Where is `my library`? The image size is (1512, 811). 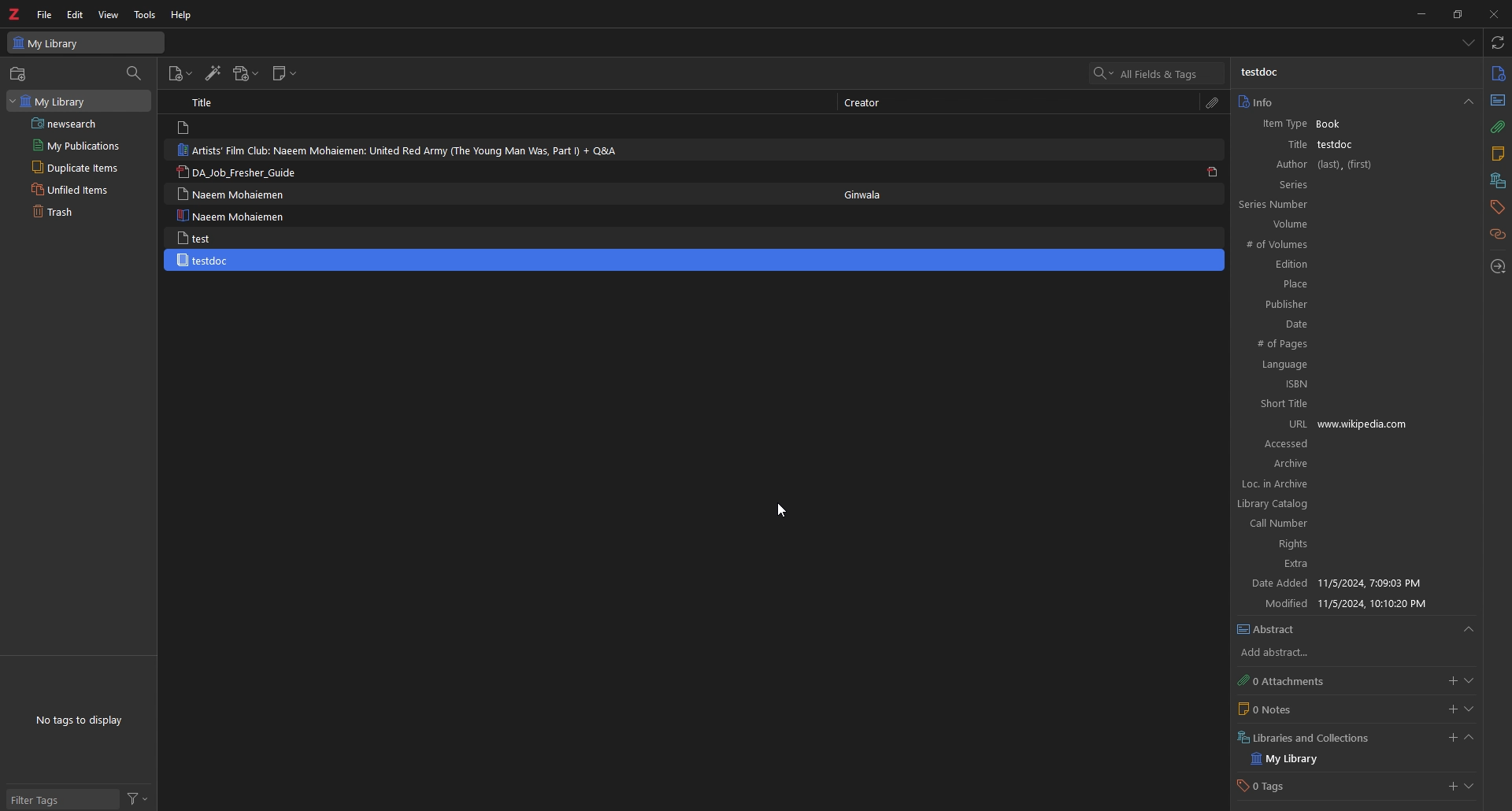 my library is located at coordinates (79, 101).